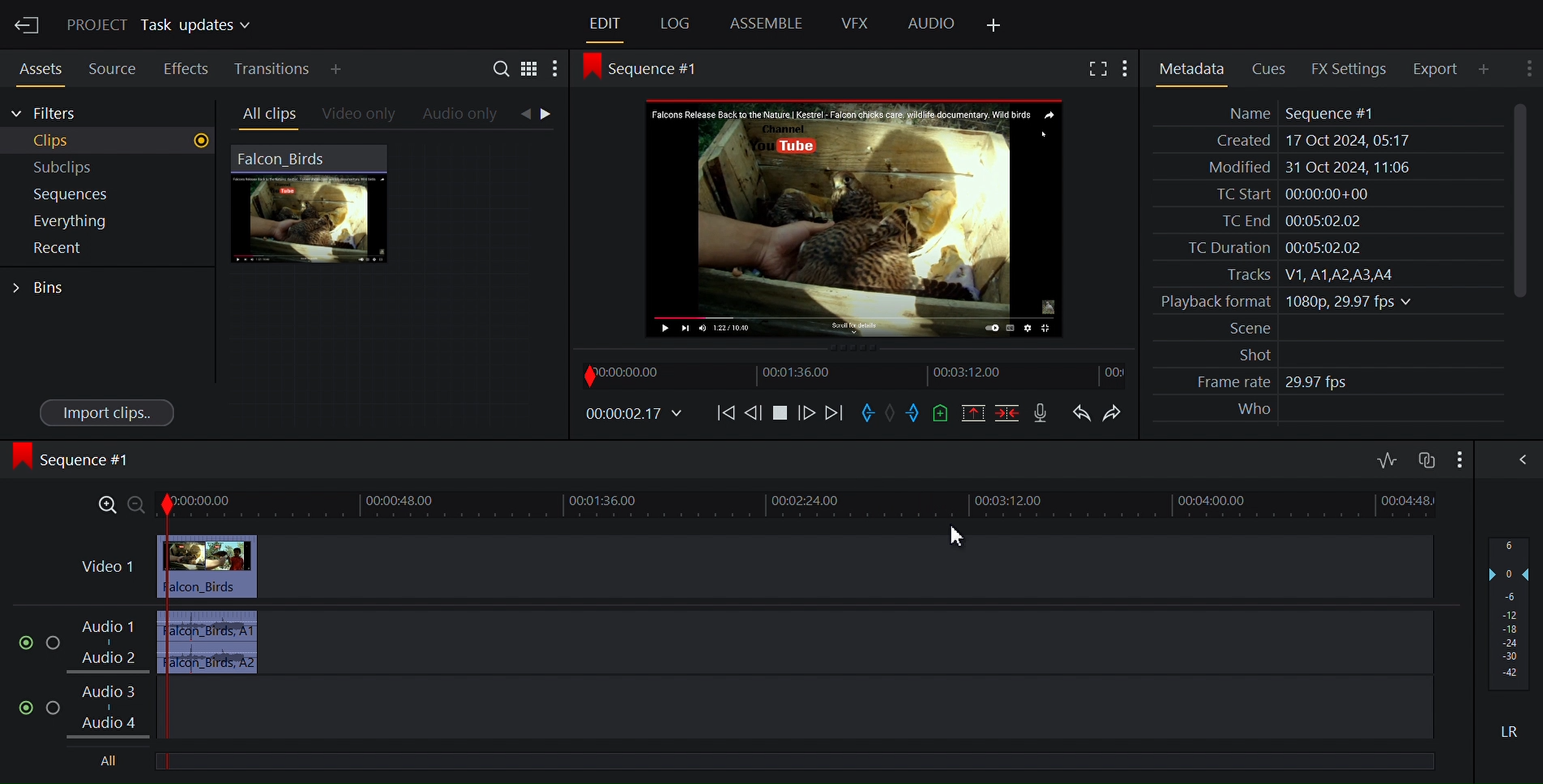 The image size is (1543, 784). Describe the element at coordinates (1043, 413) in the screenshot. I see `Record voice over` at that location.